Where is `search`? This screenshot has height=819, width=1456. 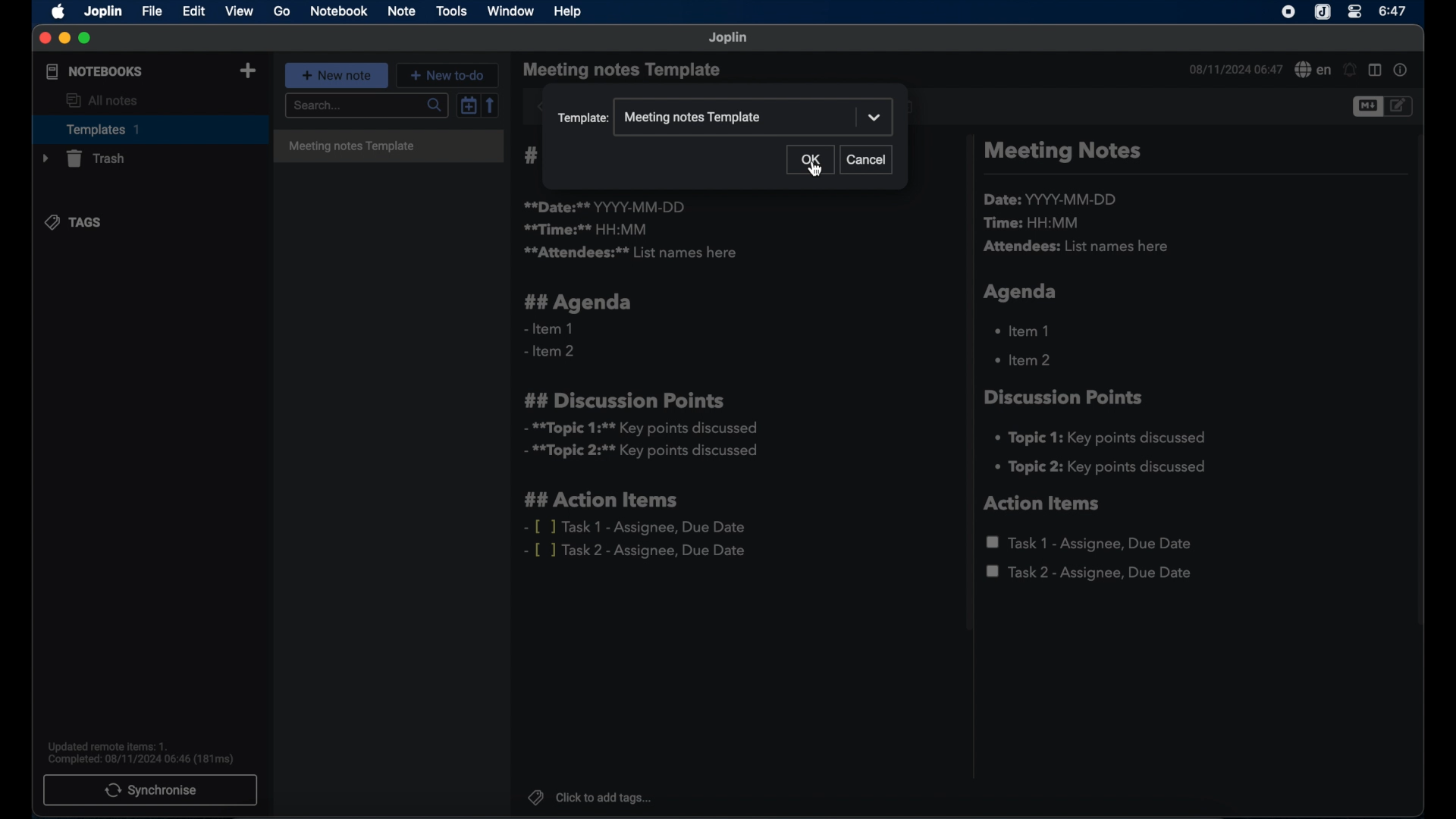 search is located at coordinates (365, 106).